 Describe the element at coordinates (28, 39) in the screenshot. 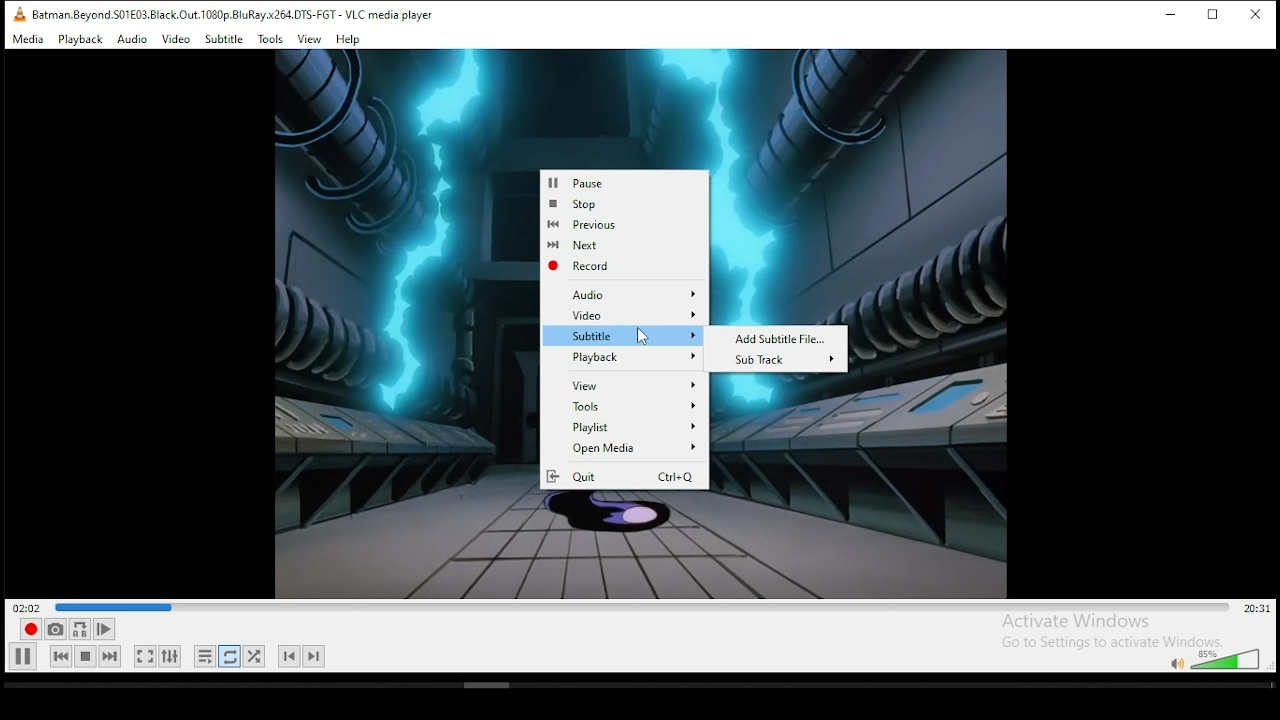

I see `media` at that location.